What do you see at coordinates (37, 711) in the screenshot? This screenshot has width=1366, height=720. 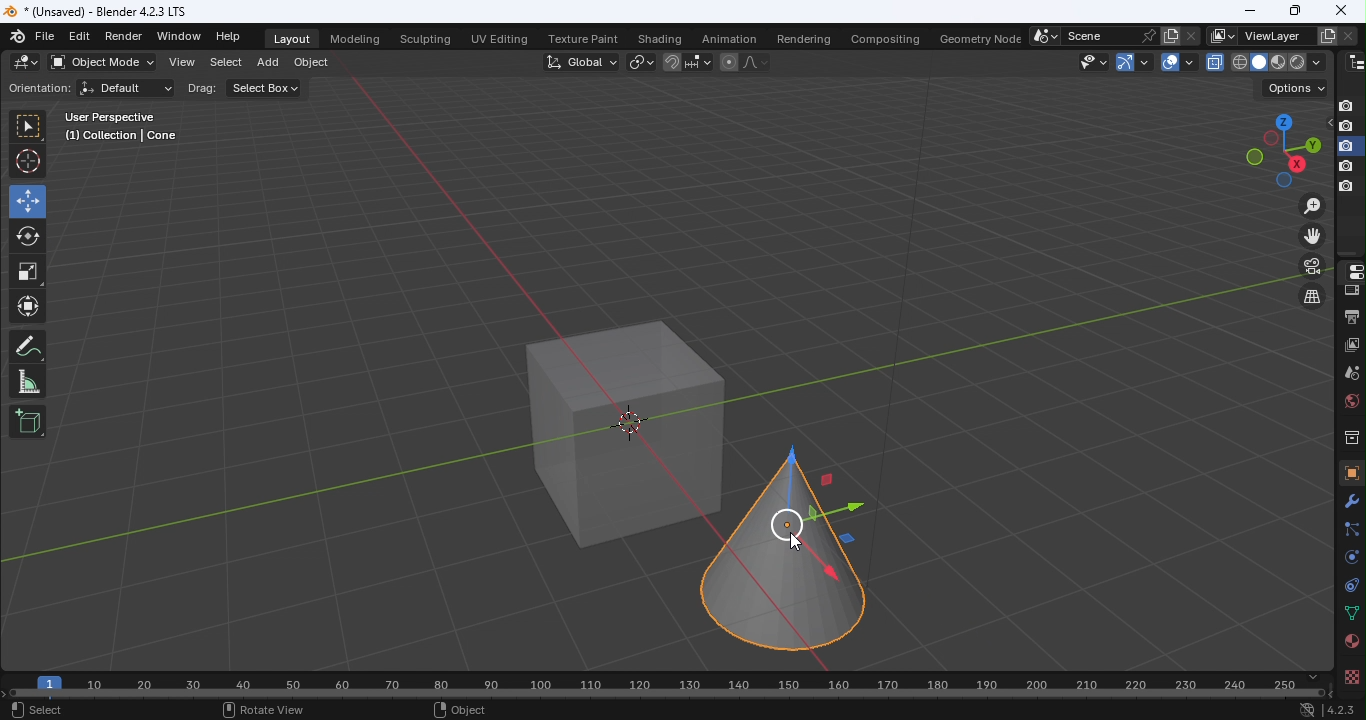 I see `Select` at bounding box center [37, 711].